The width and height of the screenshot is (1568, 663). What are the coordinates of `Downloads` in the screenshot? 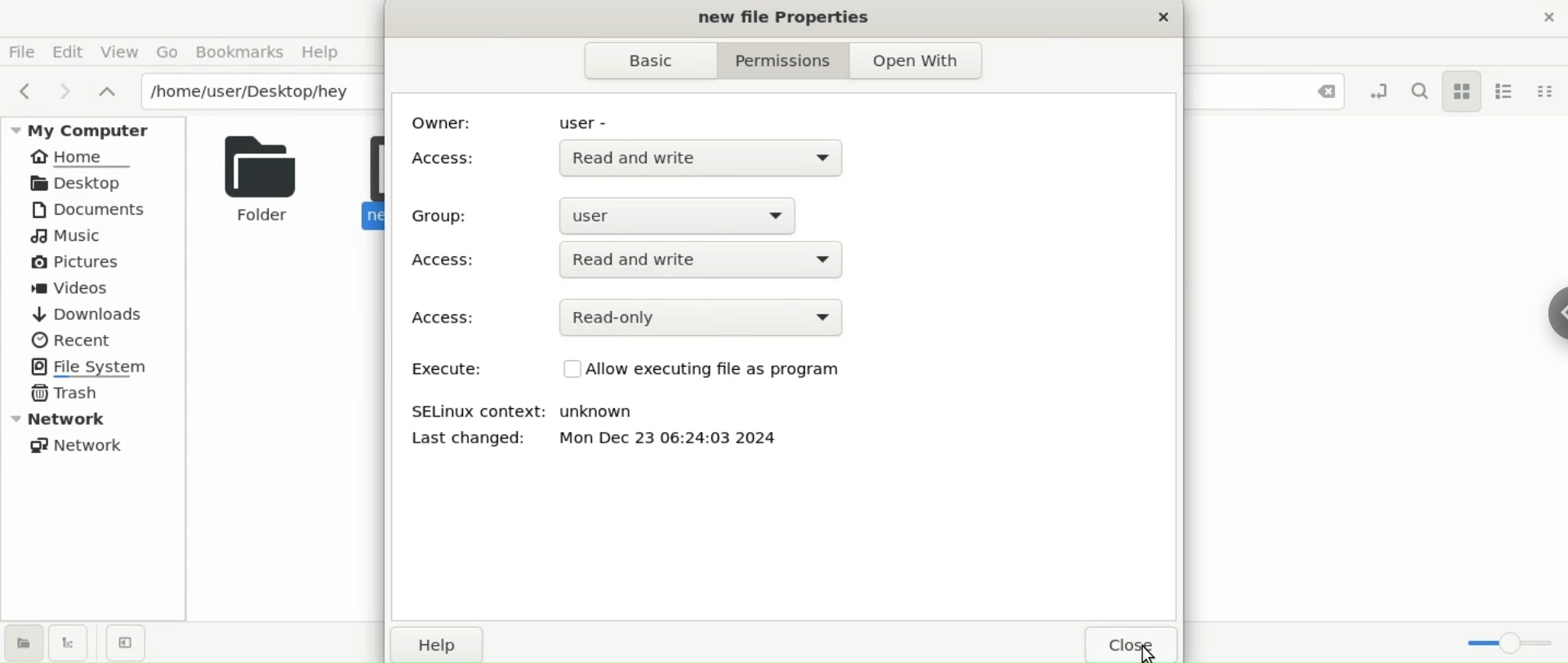 It's located at (87, 314).